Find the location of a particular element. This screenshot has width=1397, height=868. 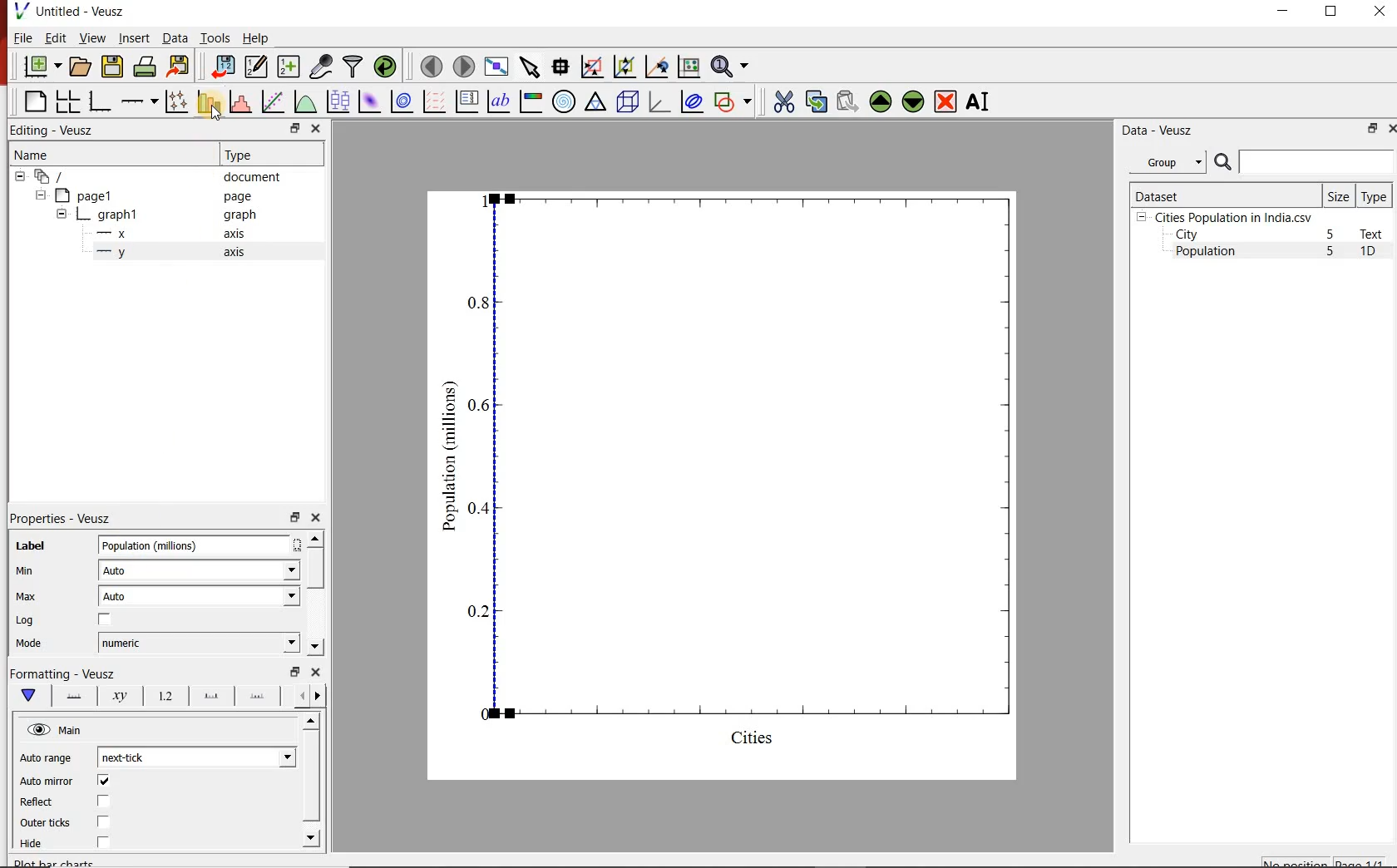

Population (millions) is located at coordinates (199, 545).